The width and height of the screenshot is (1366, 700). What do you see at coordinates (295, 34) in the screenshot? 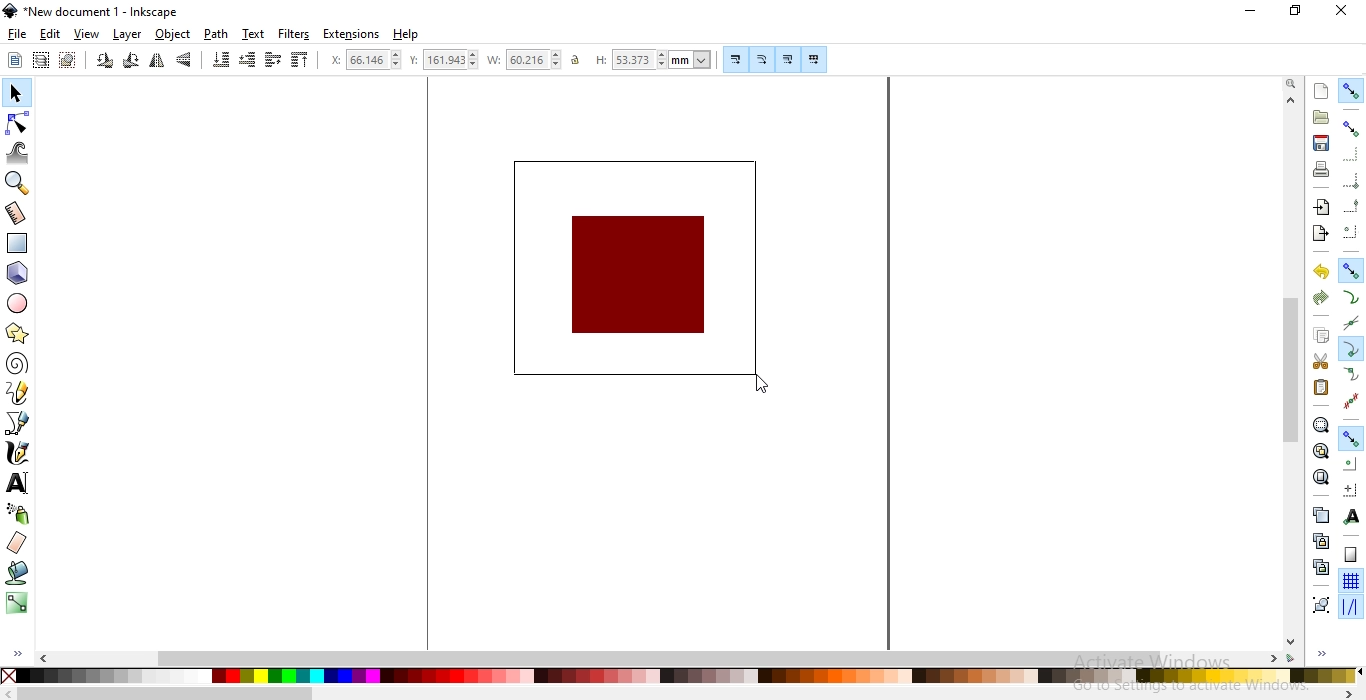
I see `filters` at bounding box center [295, 34].